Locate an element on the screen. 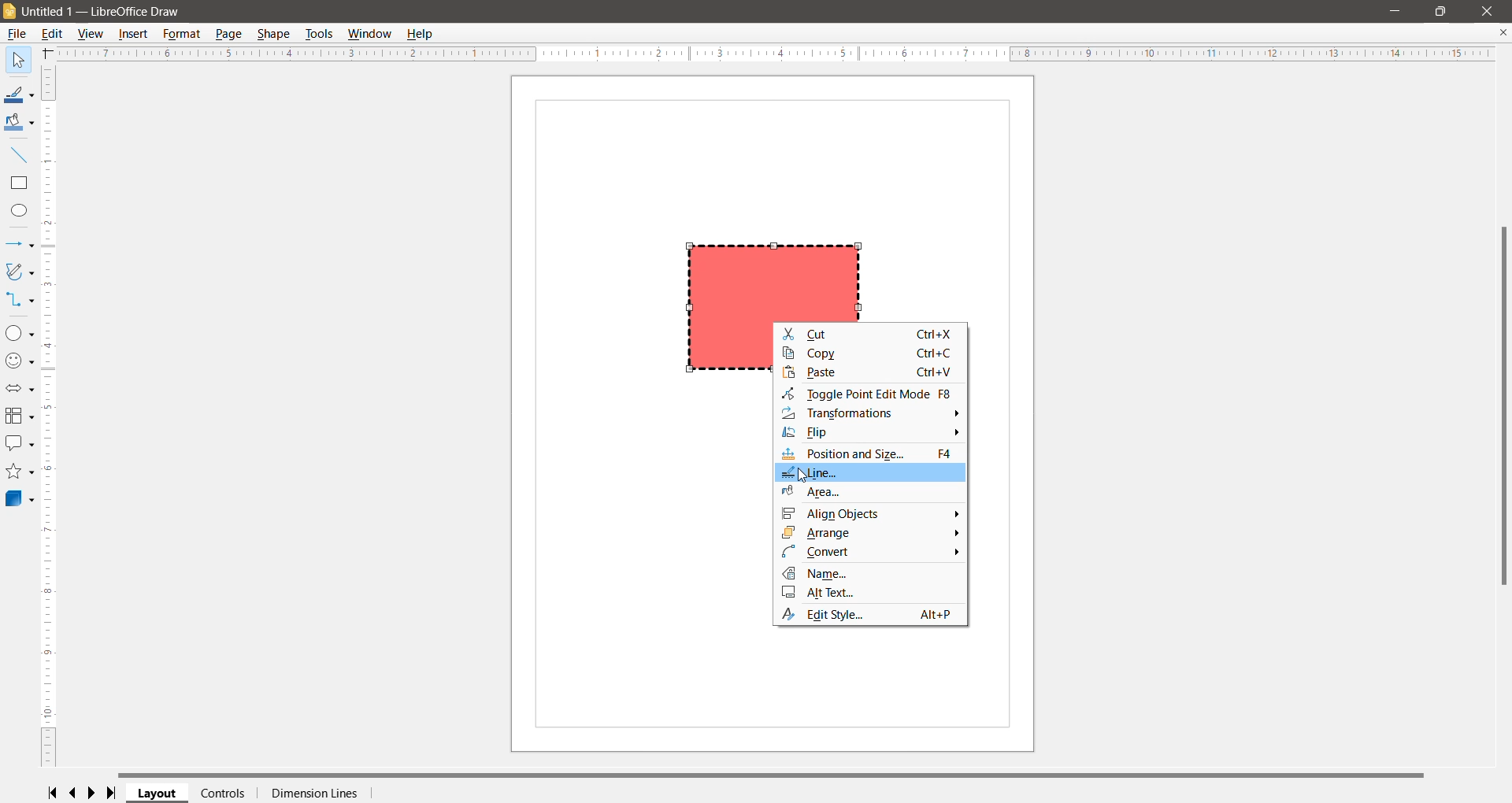 The width and height of the screenshot is (1512, 803). Curves and Polygons is located at coordinates (19, 271).